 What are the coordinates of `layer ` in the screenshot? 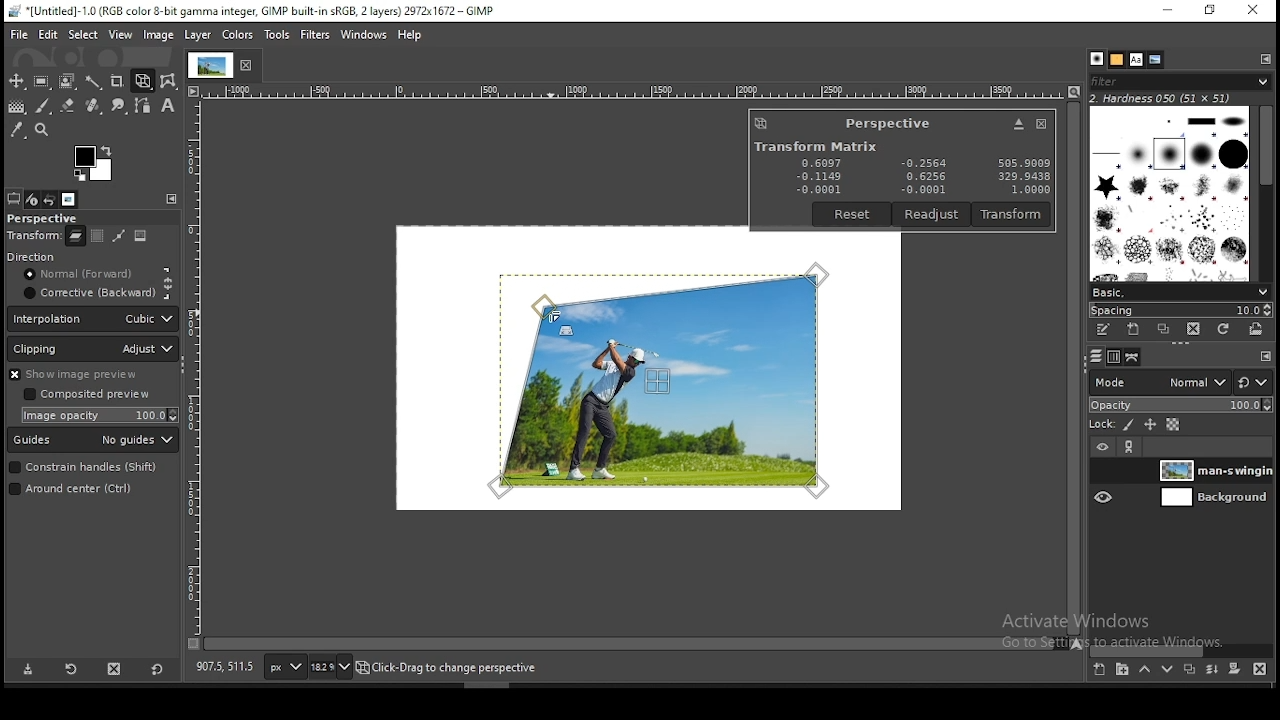 It's located at (1212, 470).